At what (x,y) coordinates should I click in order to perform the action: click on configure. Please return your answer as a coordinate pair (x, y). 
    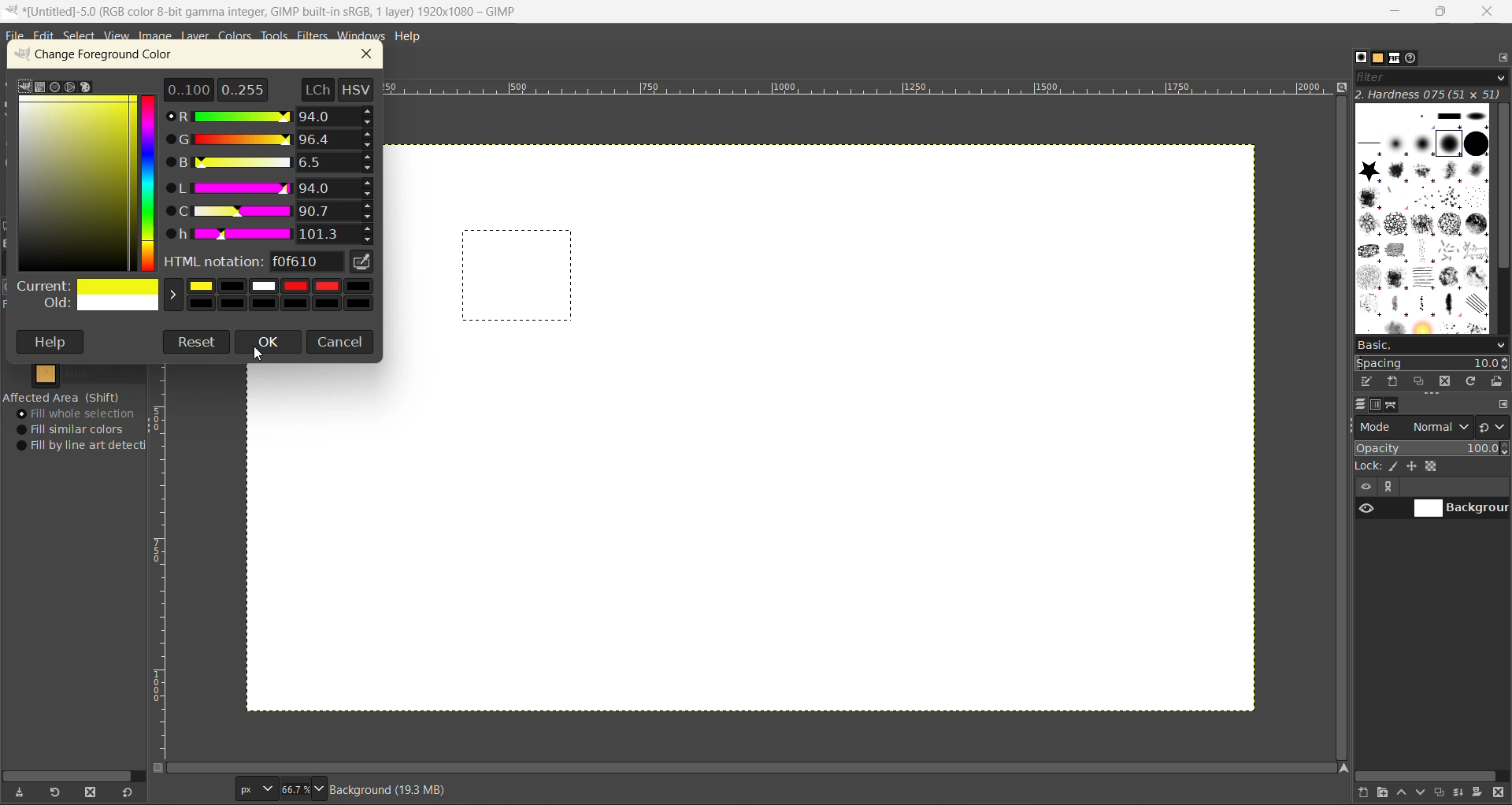
    Looking at the image, I should click on (1501, 61).